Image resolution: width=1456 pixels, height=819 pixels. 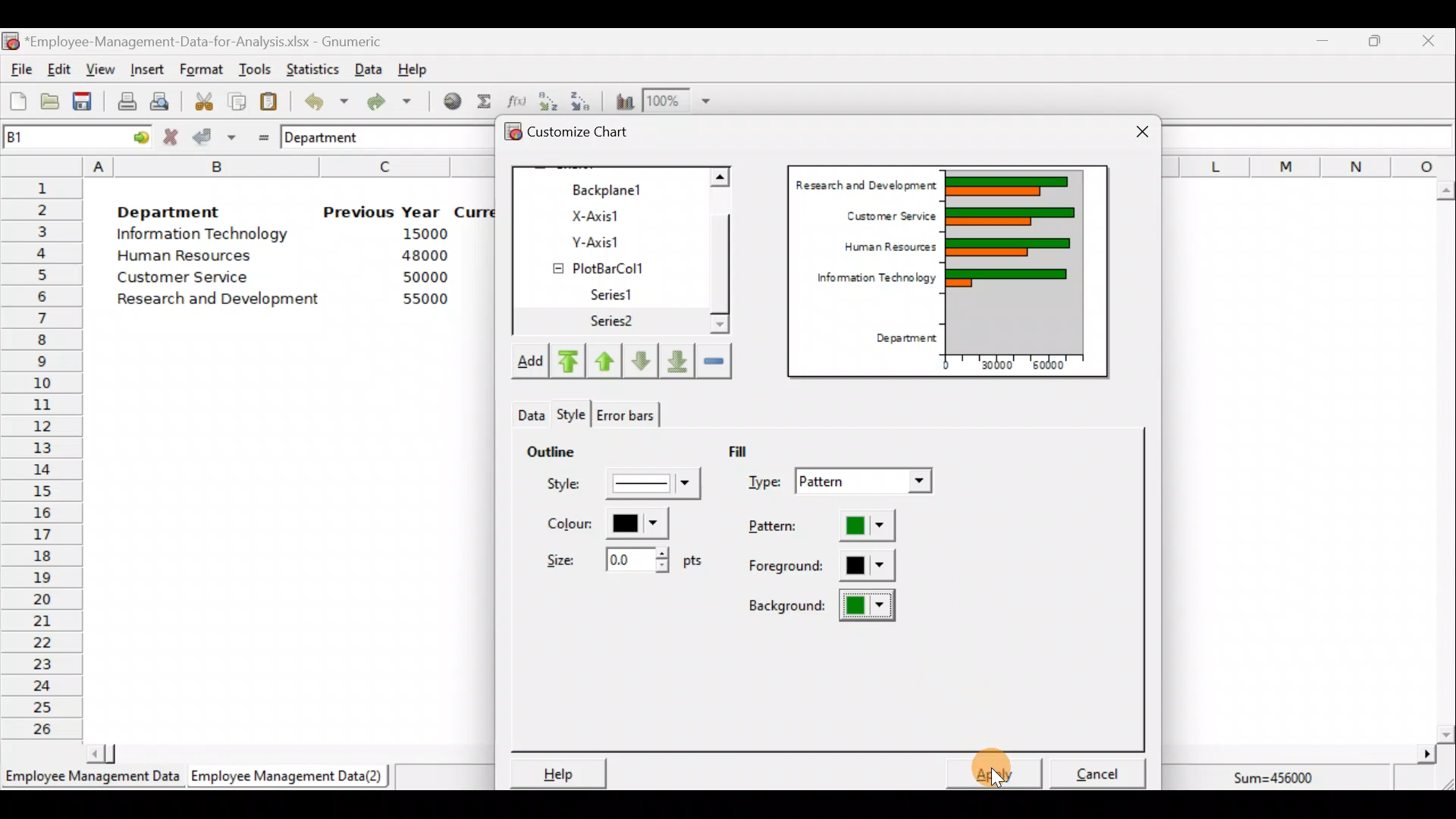 I want to click on Minimize, so click(x=1319, y=44).